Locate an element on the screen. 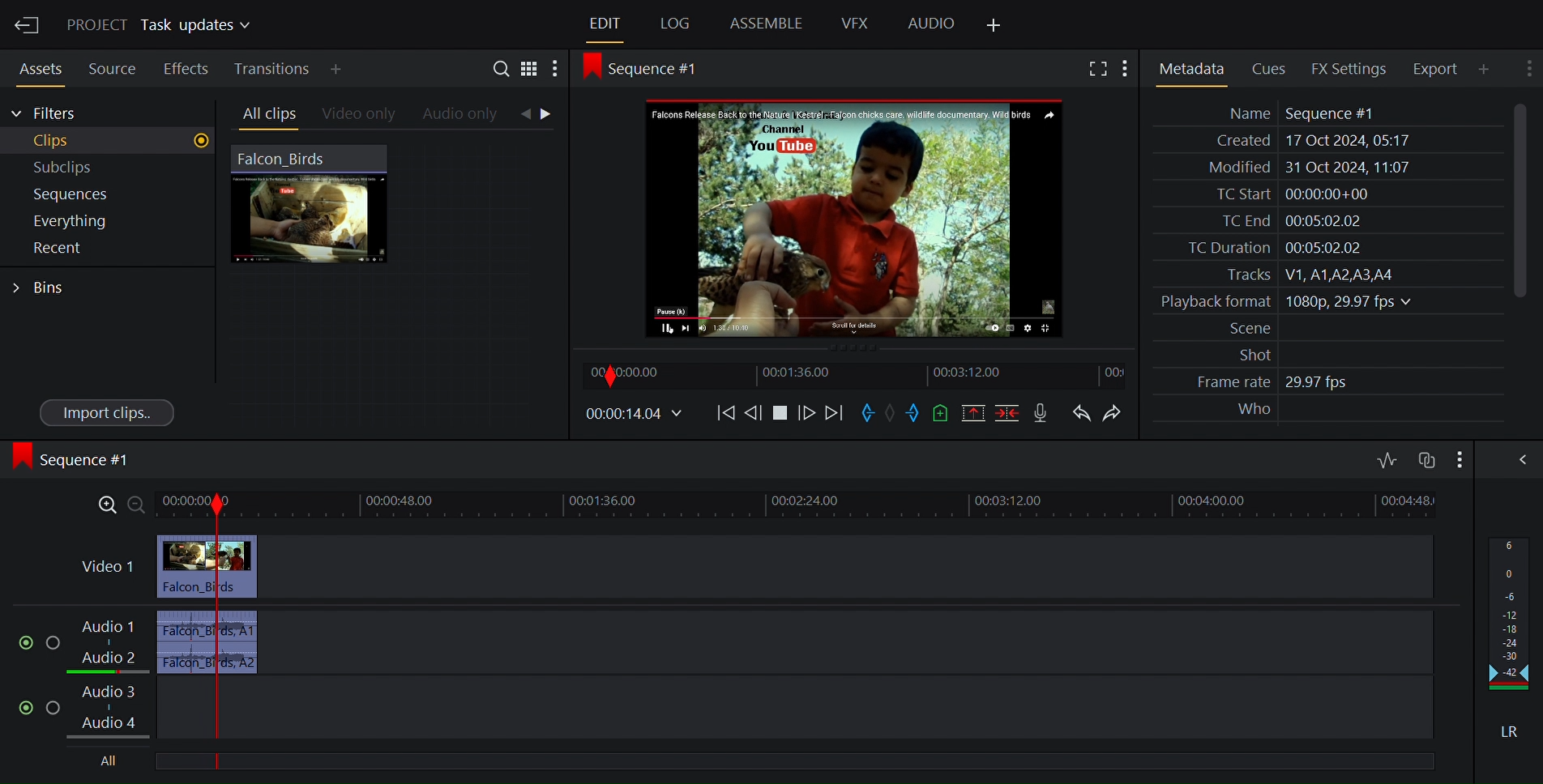 The height and width of the screenshot is (784, 1543). Add cue is located at coordinates (940, 413).